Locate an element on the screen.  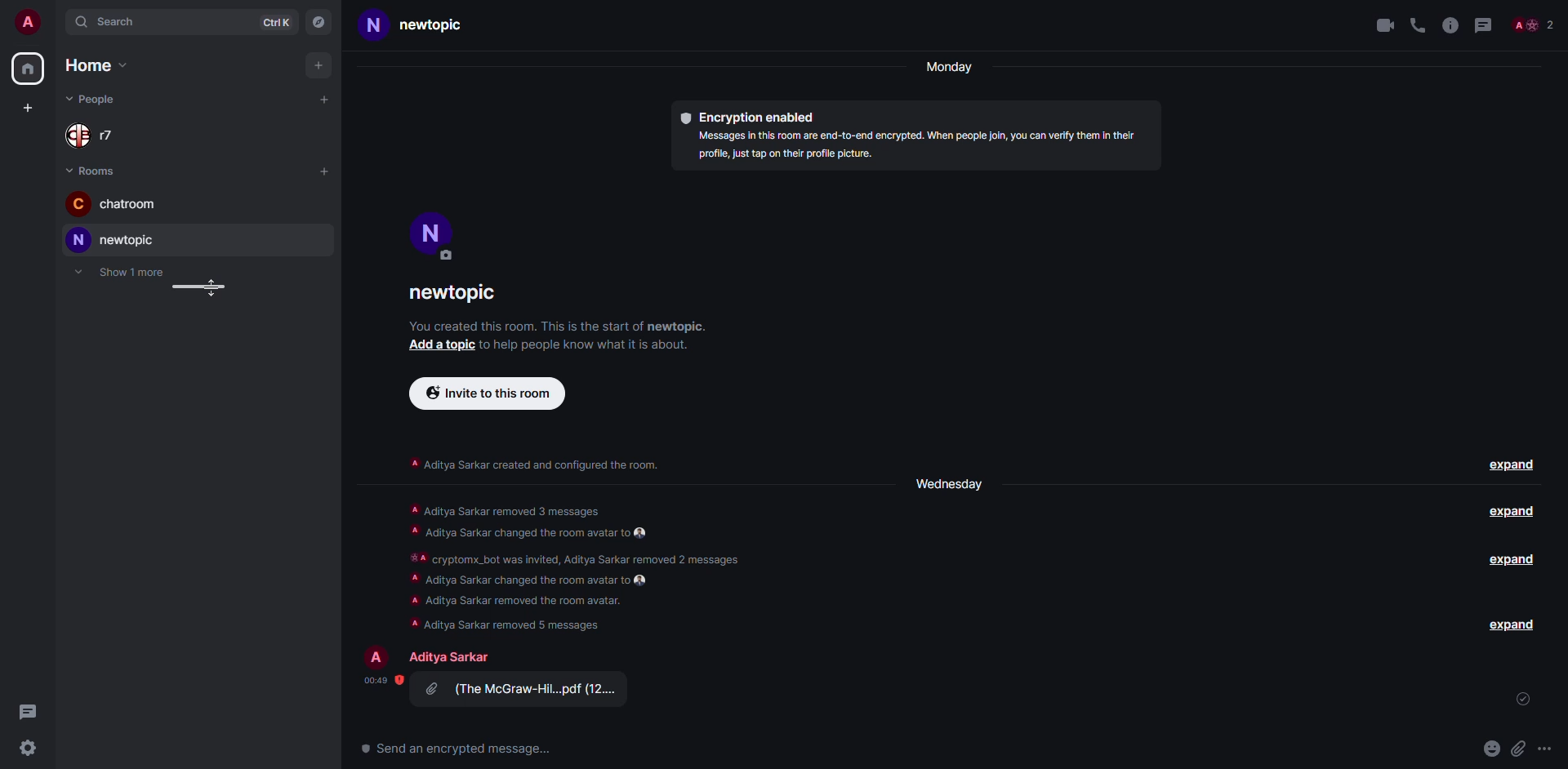
temporary is located at coordinates (120, 271).